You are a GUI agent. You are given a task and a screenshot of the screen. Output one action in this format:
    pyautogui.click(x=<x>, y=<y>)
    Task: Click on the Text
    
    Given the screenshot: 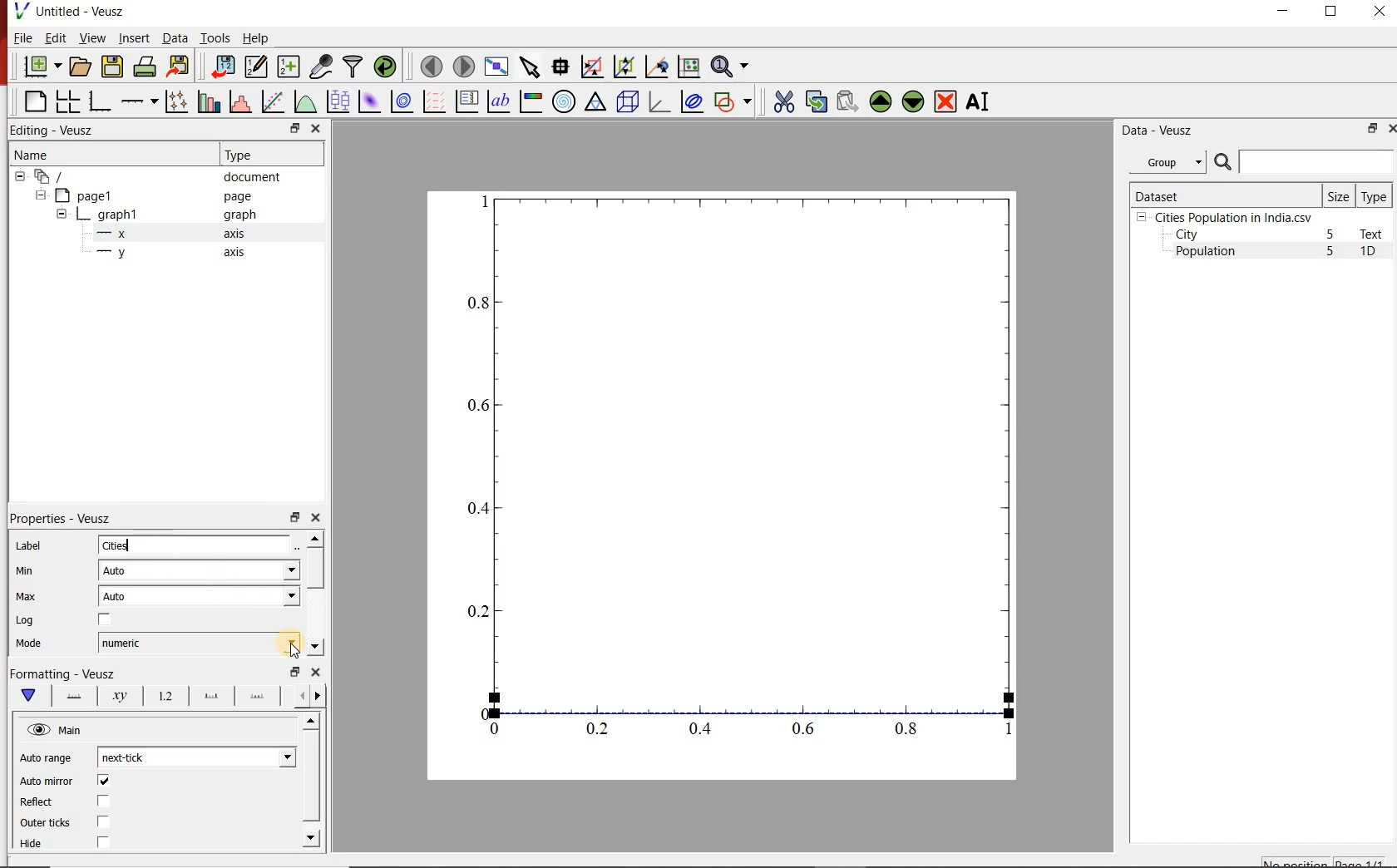 What is the action you would take?
    pyautogui.click(x=1375, y=234)
    